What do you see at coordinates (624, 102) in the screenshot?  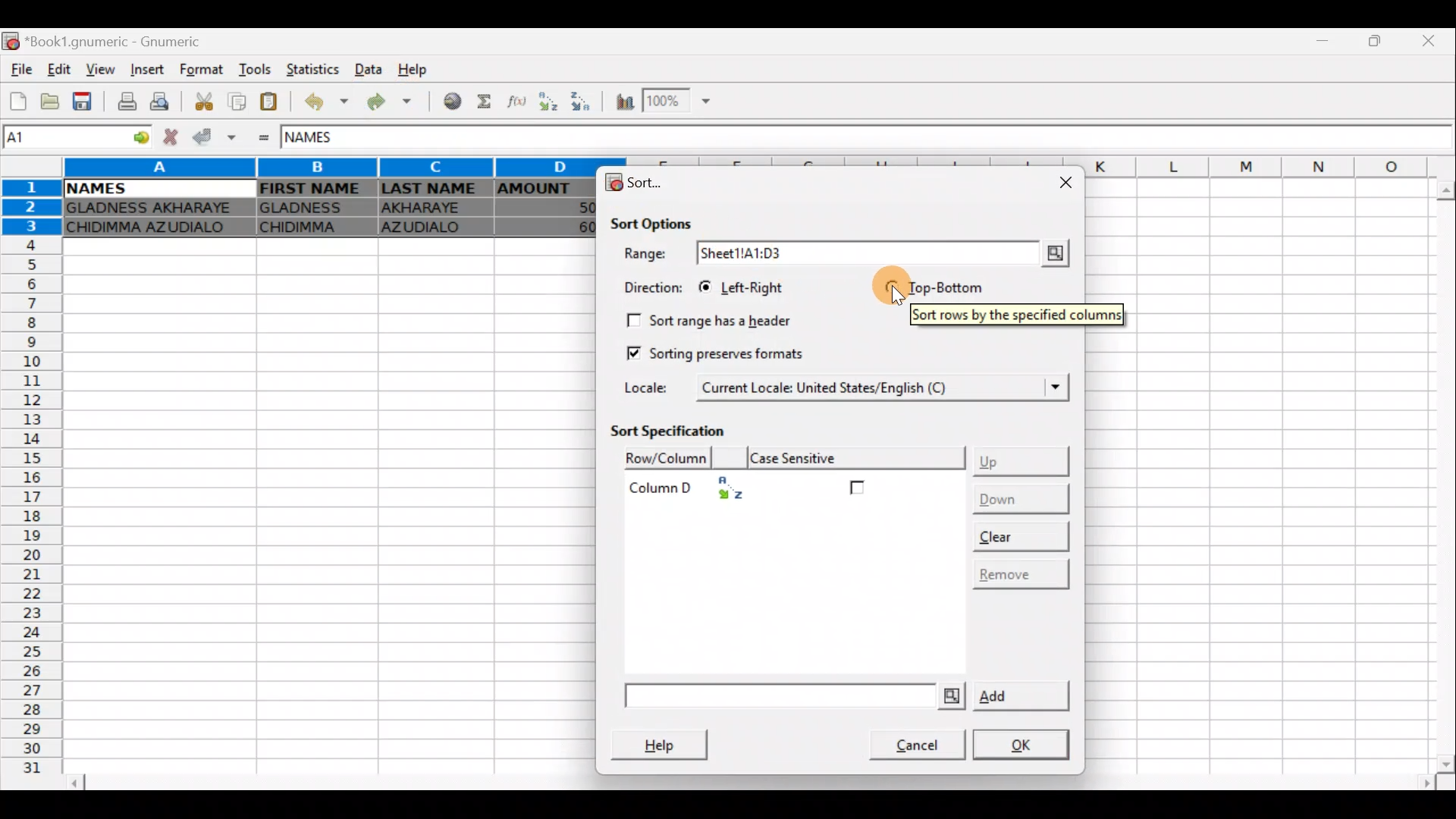 I see `Insert chart` at bounding box center [624, 102].